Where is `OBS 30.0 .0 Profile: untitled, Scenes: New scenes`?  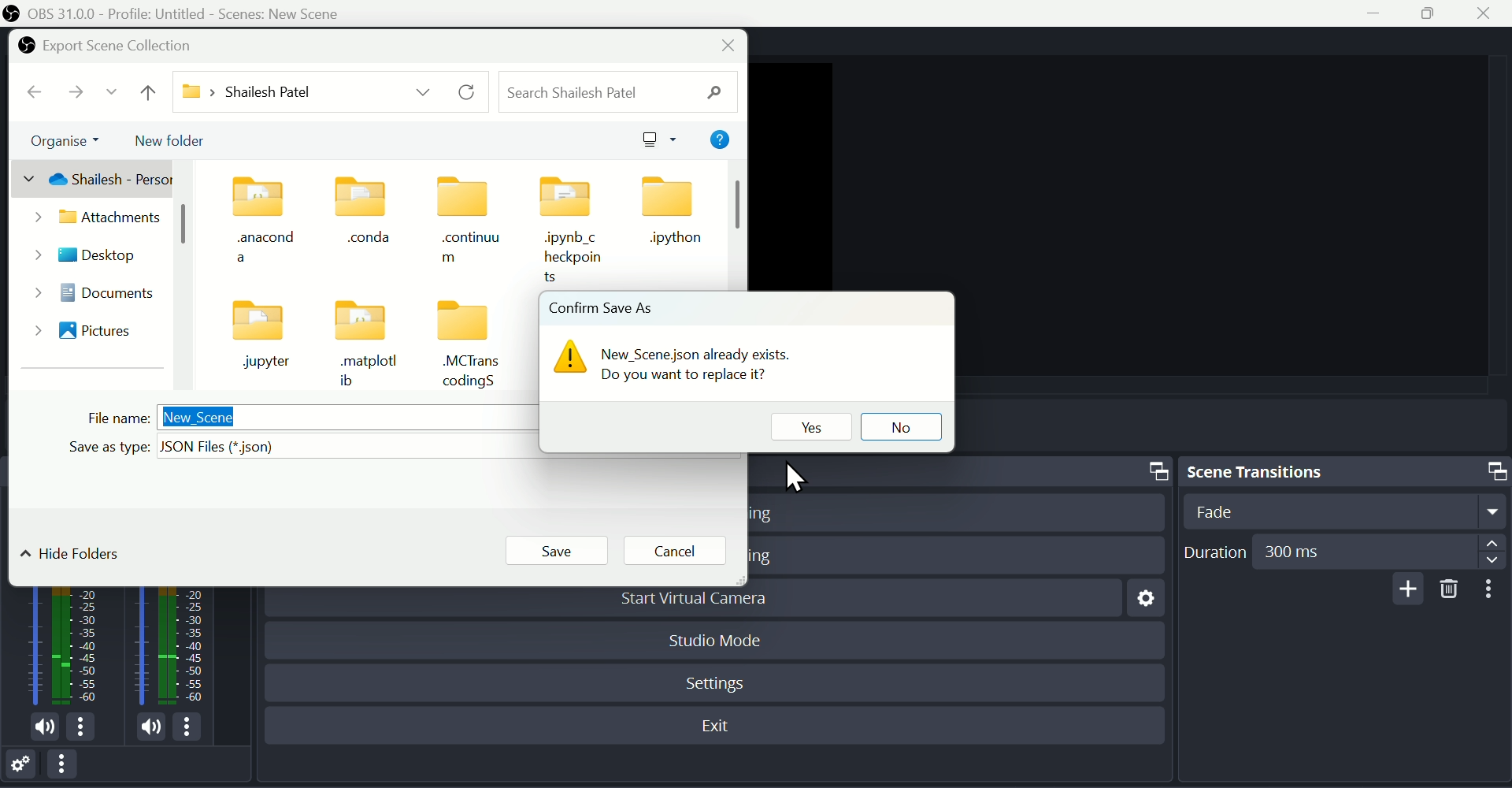 OBS 30.0 .0 Profile: untitled, Scenes: New scenes is located at coordinates (180, 13).